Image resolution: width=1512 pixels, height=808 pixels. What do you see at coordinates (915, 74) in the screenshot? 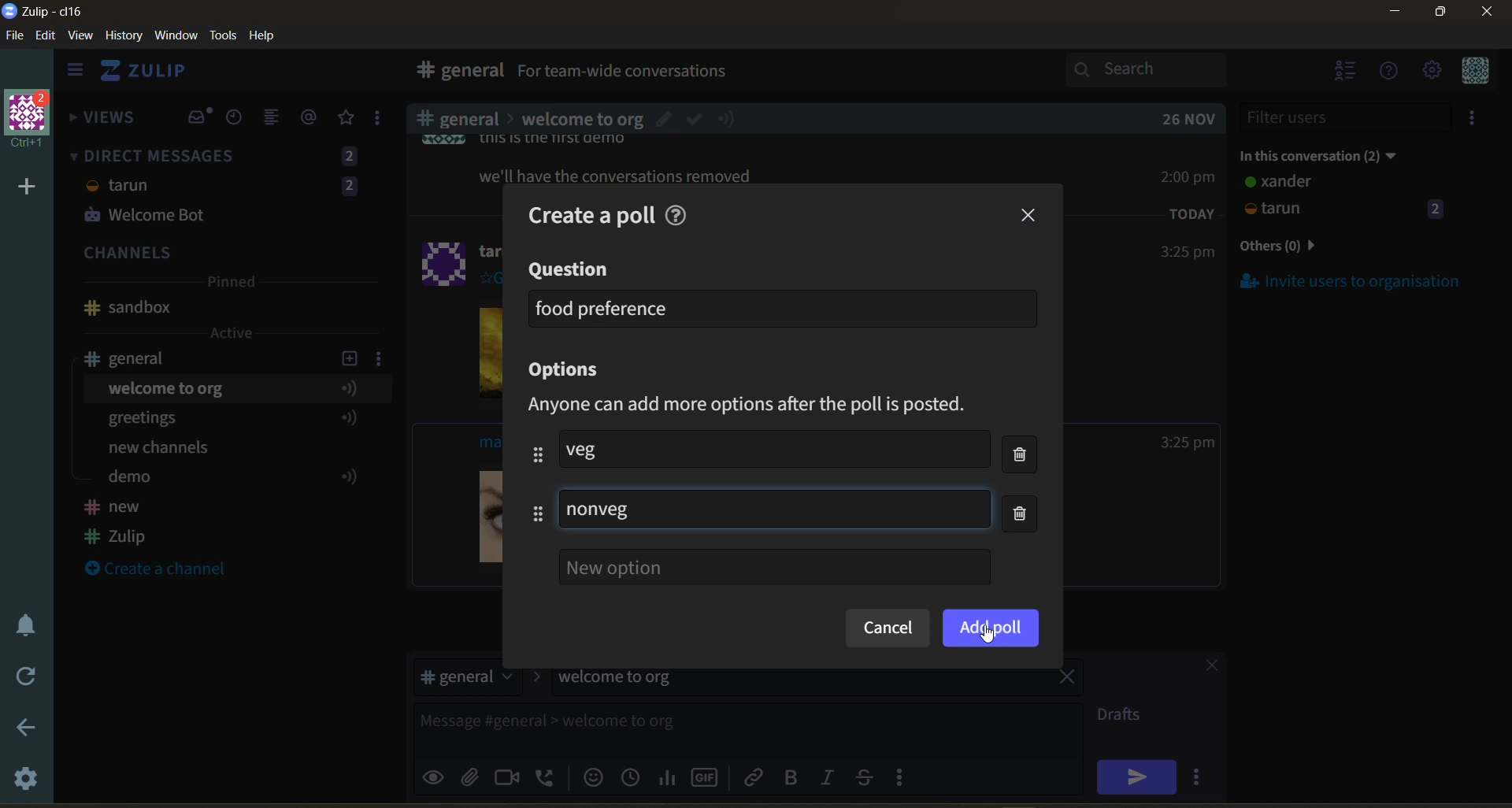
I see `help` at bounding box center [915, 74].